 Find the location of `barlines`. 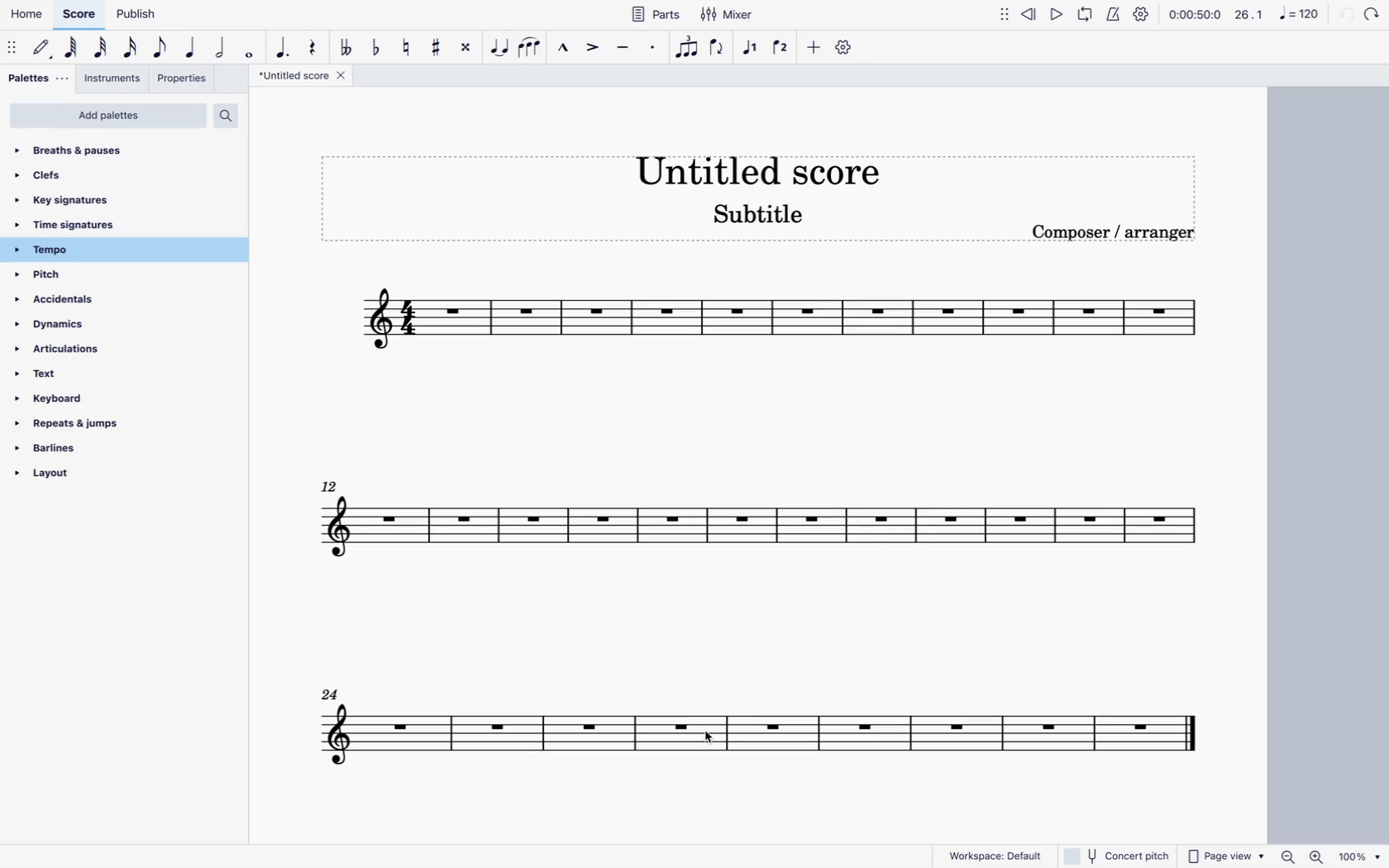

barlines is located at coordinates (103, 448).